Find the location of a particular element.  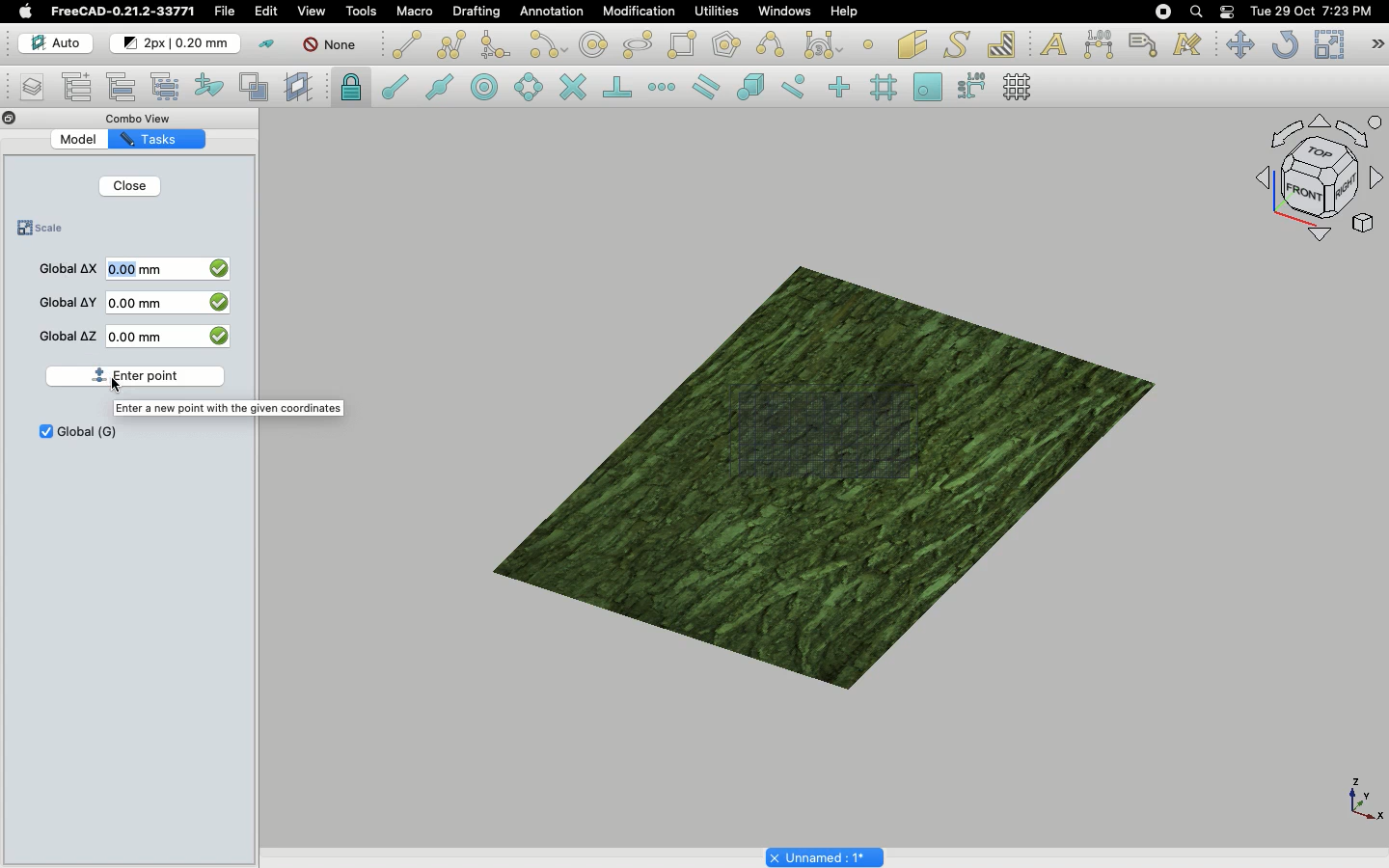

Circle is located at coordinates (593, 44).